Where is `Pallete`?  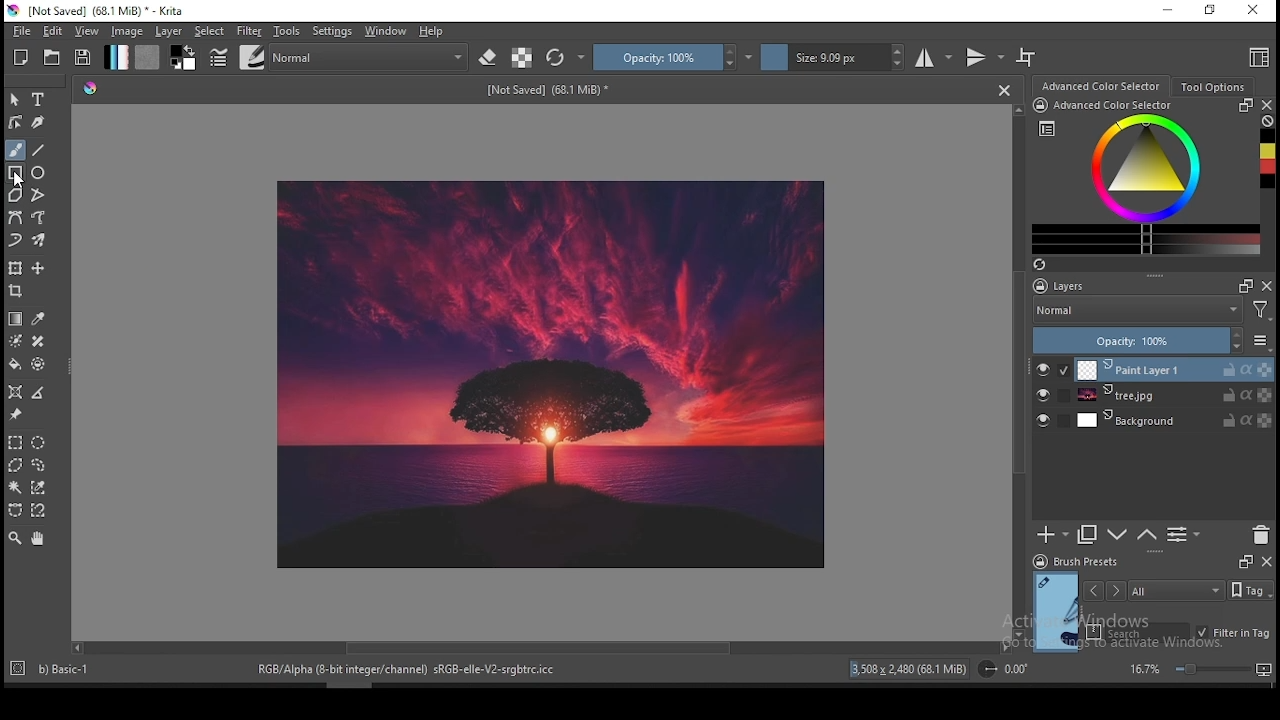 Pallete is located at coordinates (91, 90).